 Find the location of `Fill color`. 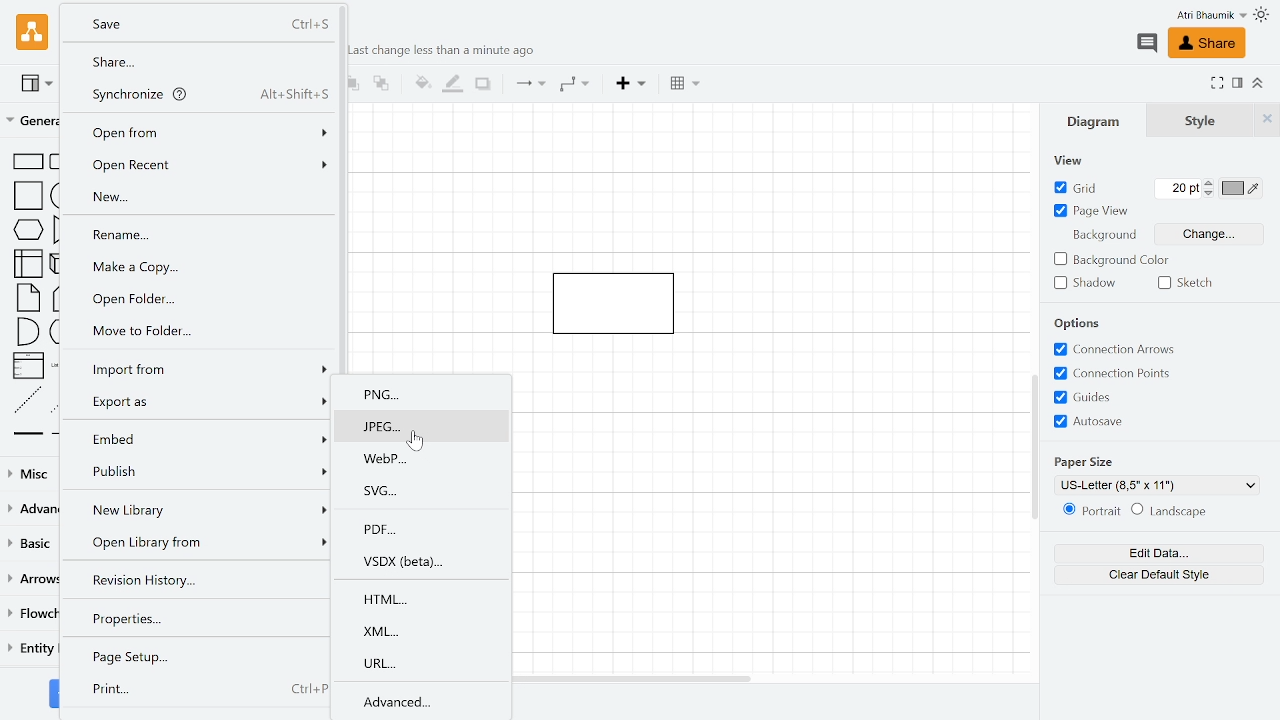

Fill color is located at coordinates (420, 83).